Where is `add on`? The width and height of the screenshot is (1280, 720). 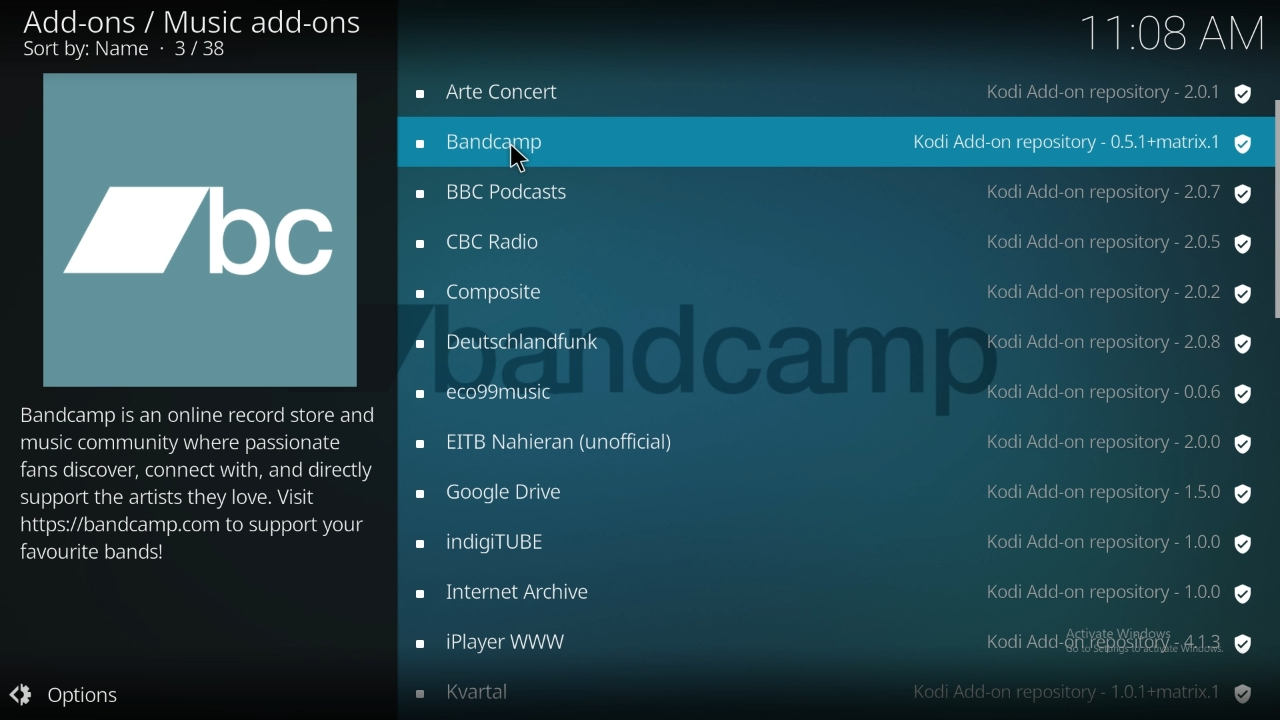 add on is located at coordinates (833, 195).